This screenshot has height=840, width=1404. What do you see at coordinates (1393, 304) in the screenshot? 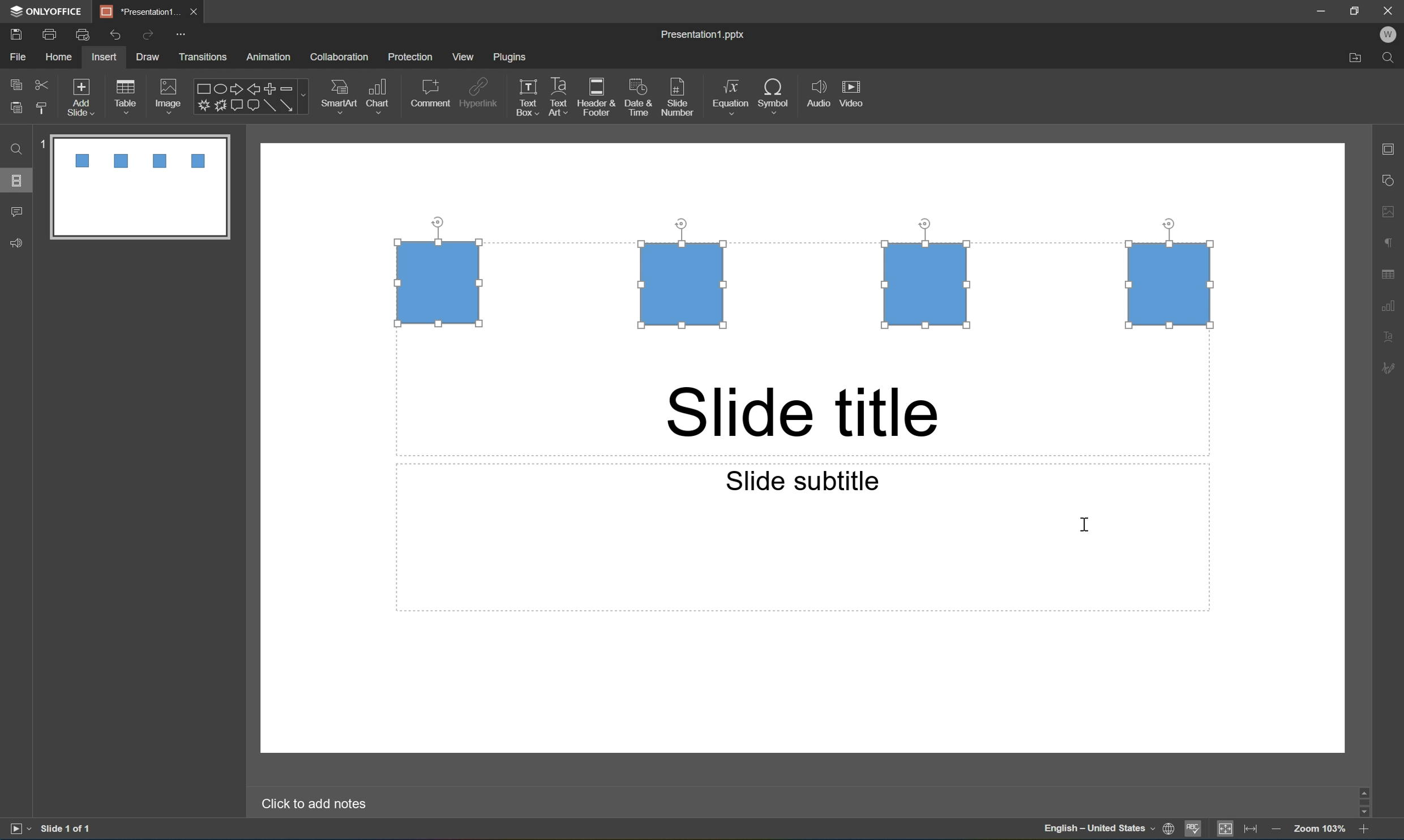
I see `chart settings` at bounding box center [1393, 304].